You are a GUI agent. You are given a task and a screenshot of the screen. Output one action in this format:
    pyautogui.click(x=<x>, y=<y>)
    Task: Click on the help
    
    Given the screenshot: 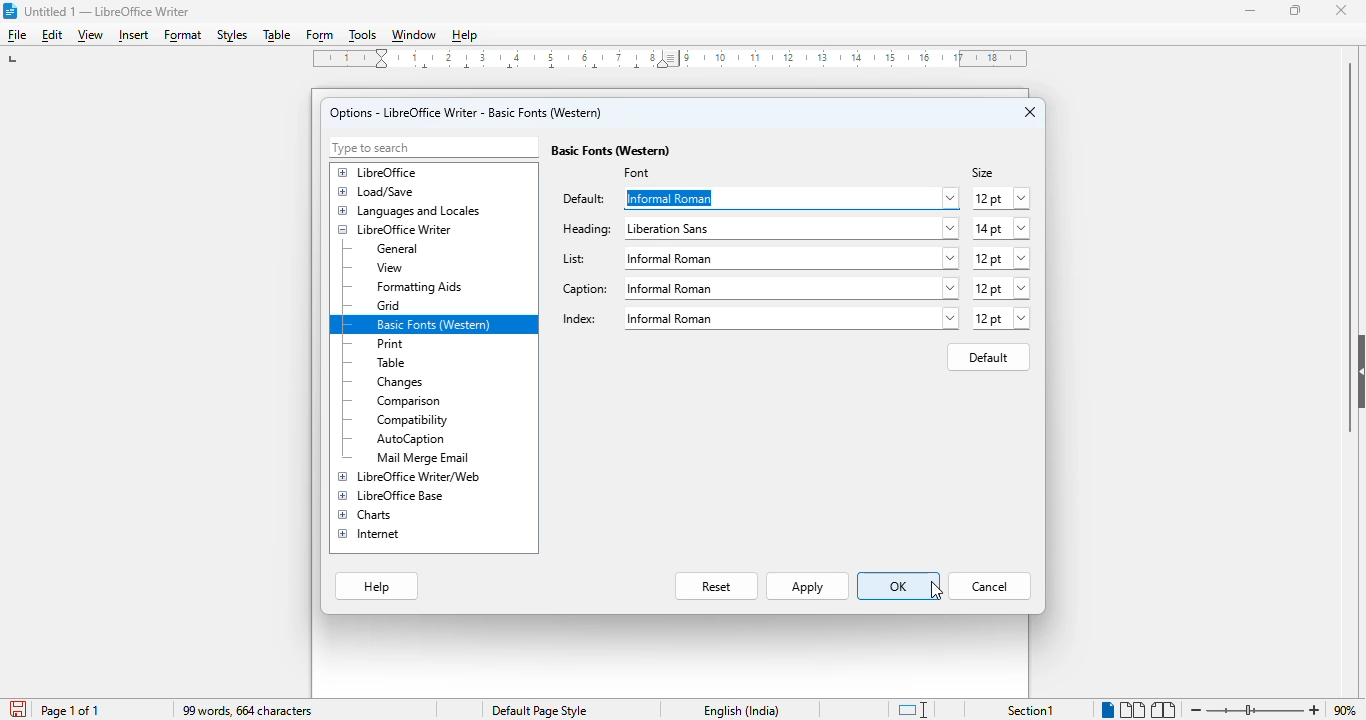 What is the action you would take?
    pyautogui.click(x=464, y=37)
    